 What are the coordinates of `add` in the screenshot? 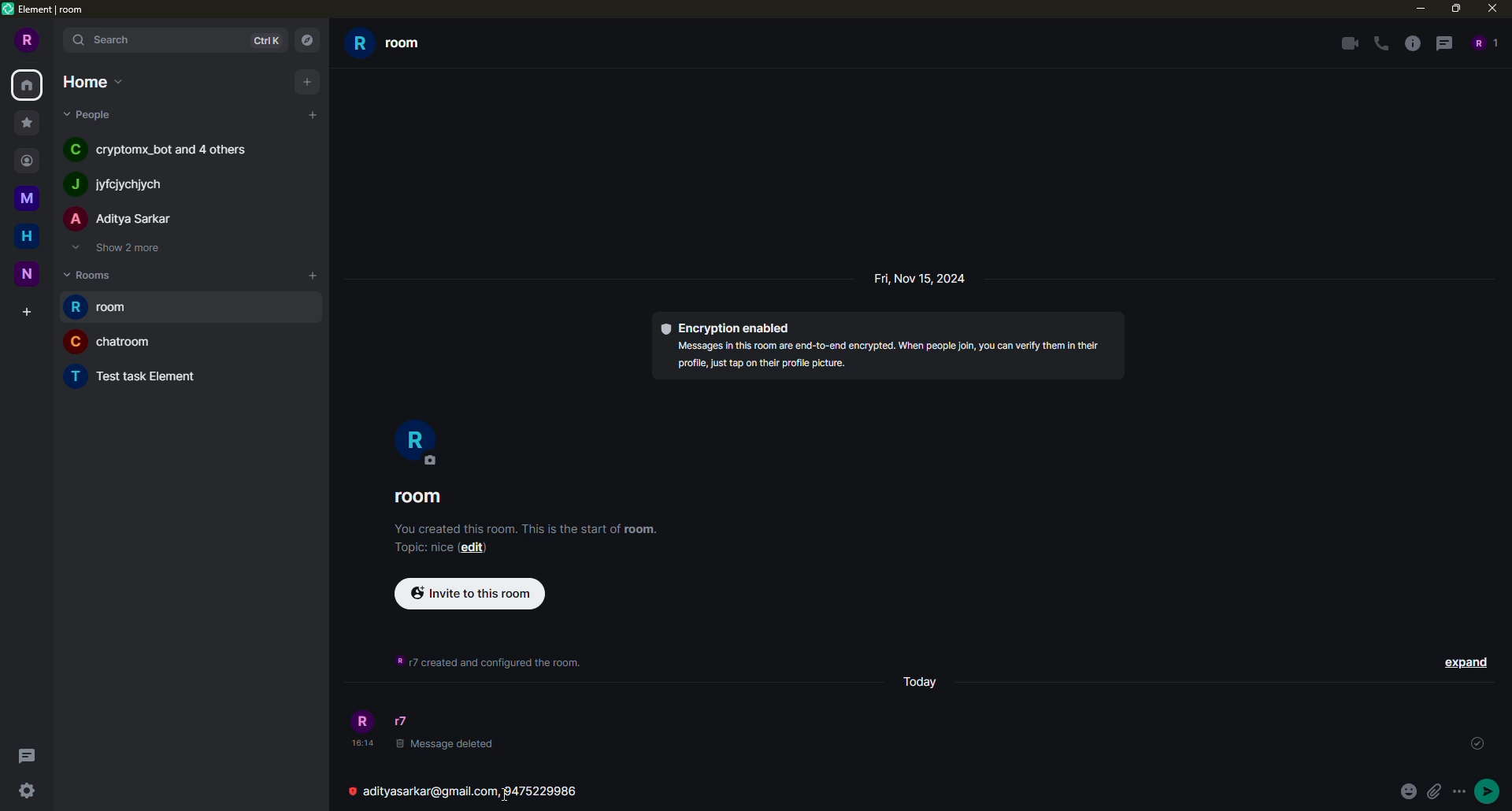 It's located at (309, 275).